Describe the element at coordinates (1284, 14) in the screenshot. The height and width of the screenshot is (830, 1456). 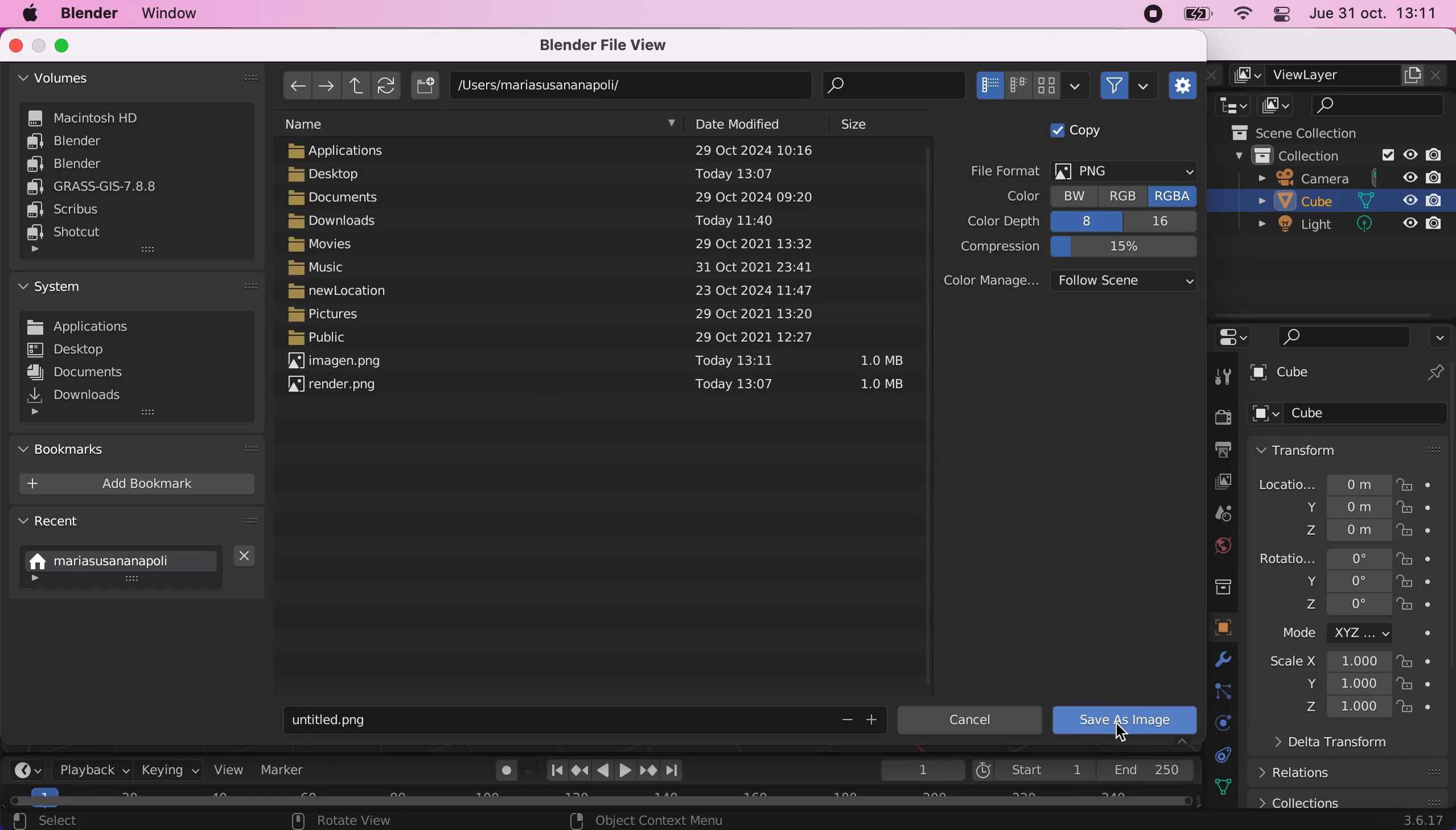
I see `panel control` at that location.